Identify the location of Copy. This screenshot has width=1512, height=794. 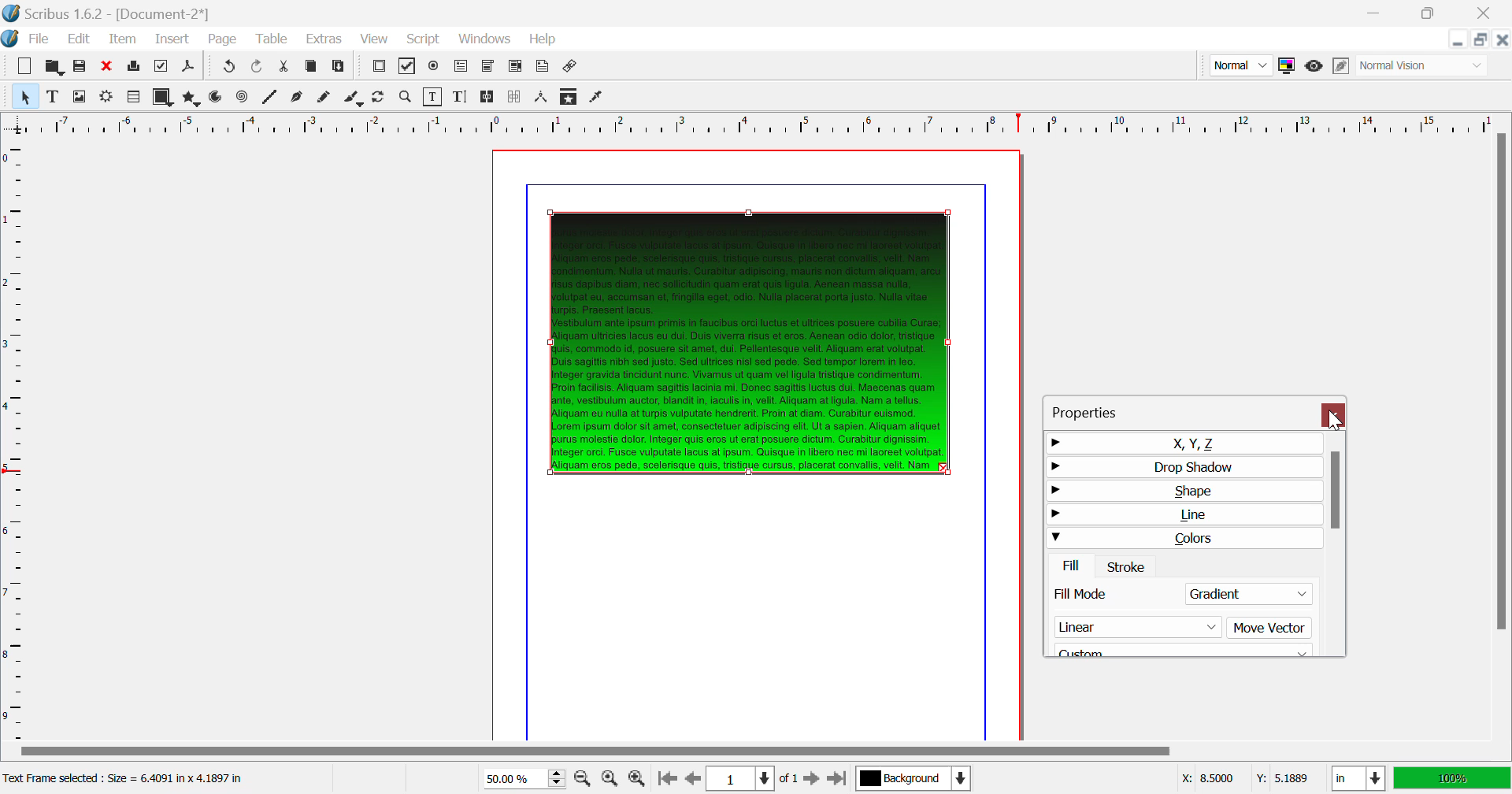
(312, 69).